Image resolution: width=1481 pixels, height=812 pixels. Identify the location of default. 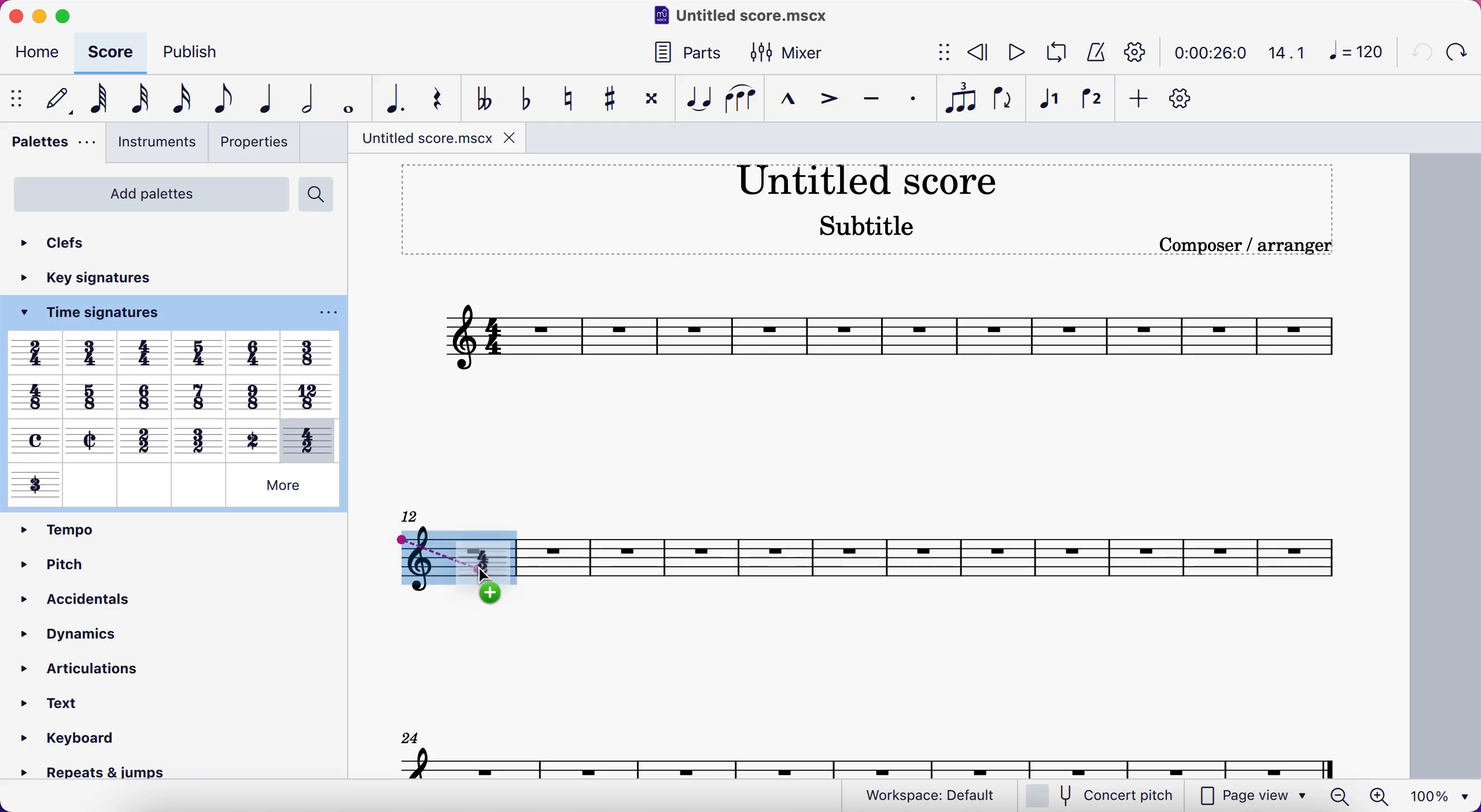
(54, 99).